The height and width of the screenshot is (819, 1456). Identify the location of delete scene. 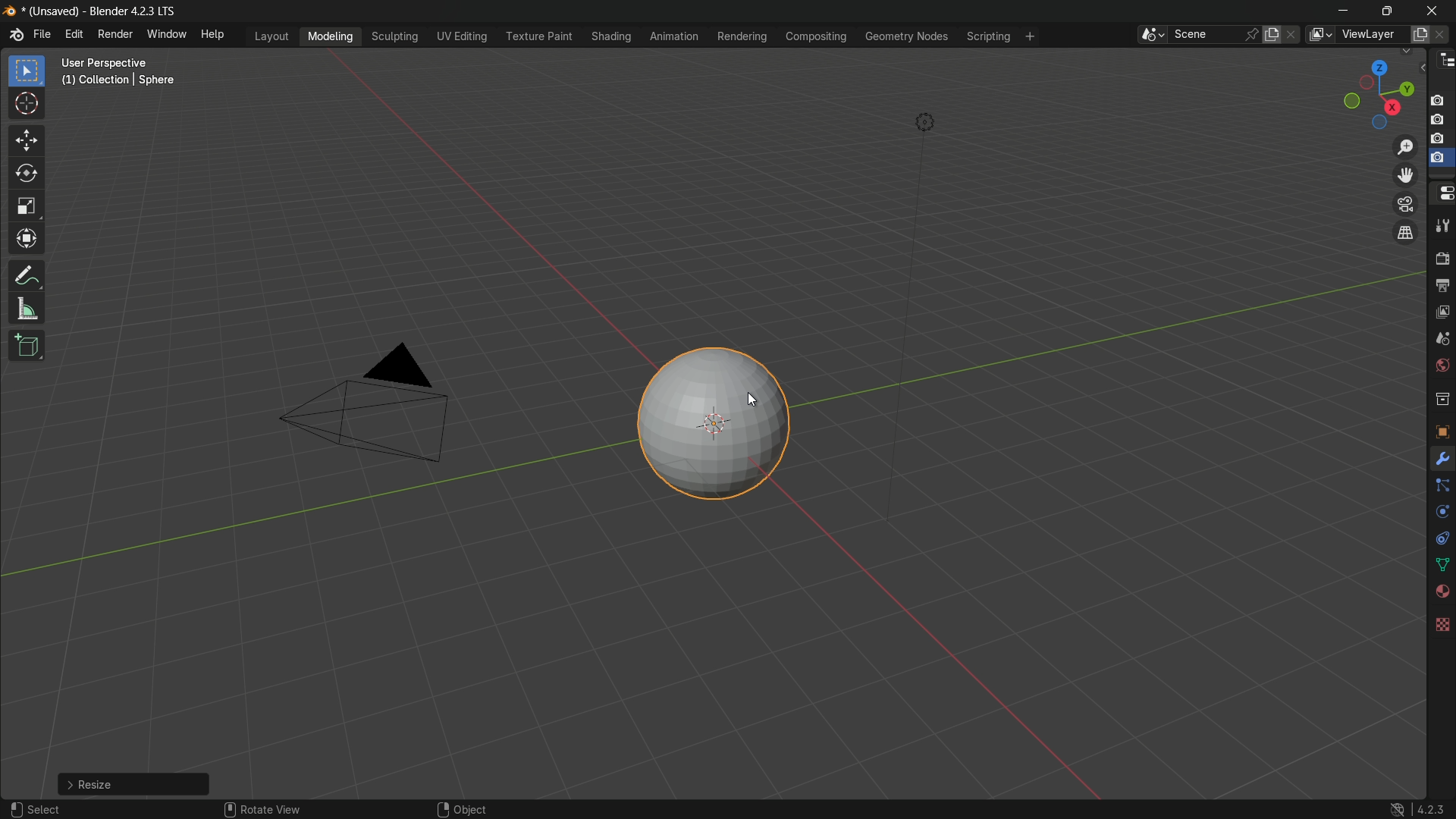
(1292, 35).